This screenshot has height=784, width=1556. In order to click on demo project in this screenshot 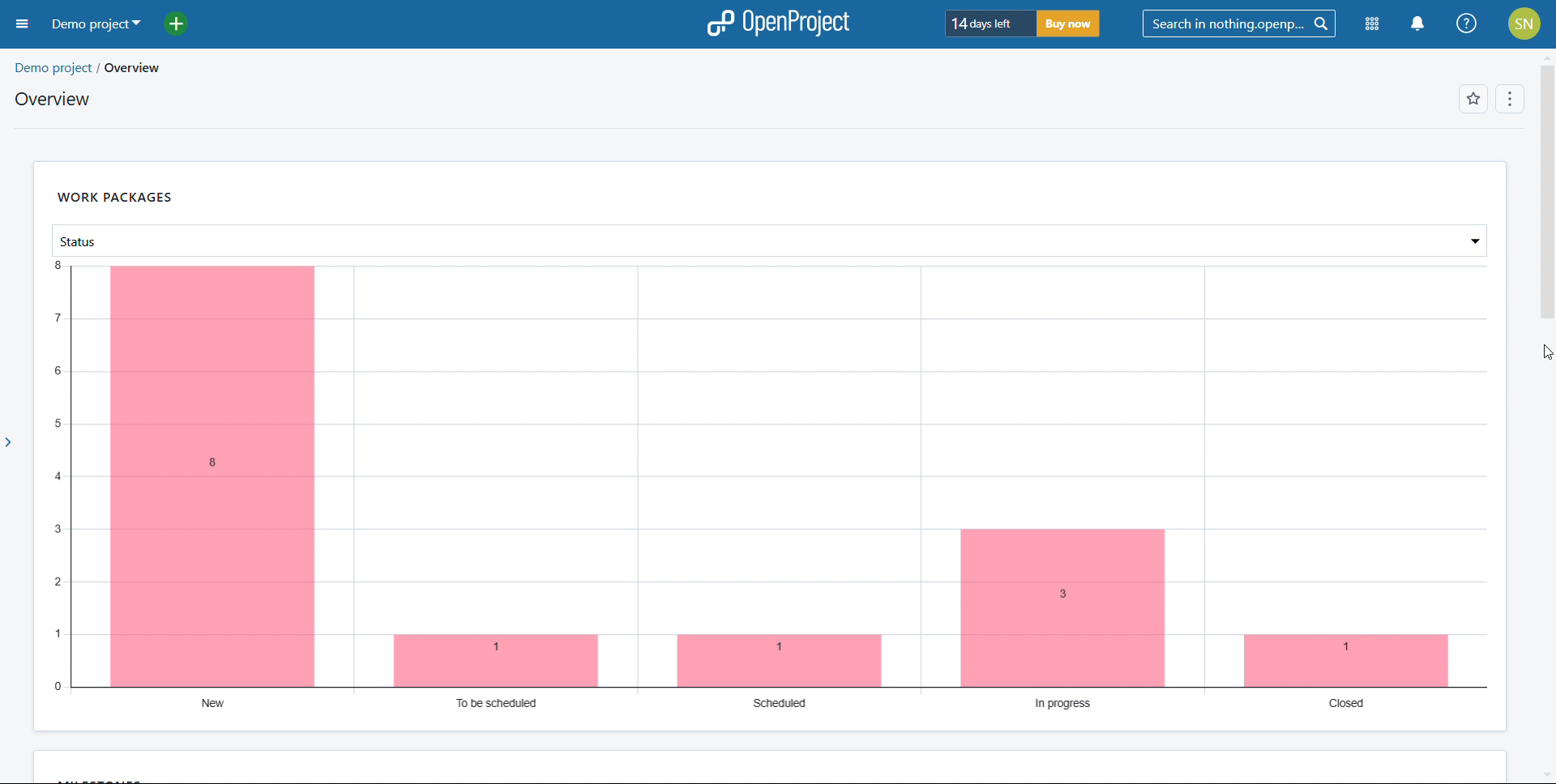, I will do `click(78, 68)`.